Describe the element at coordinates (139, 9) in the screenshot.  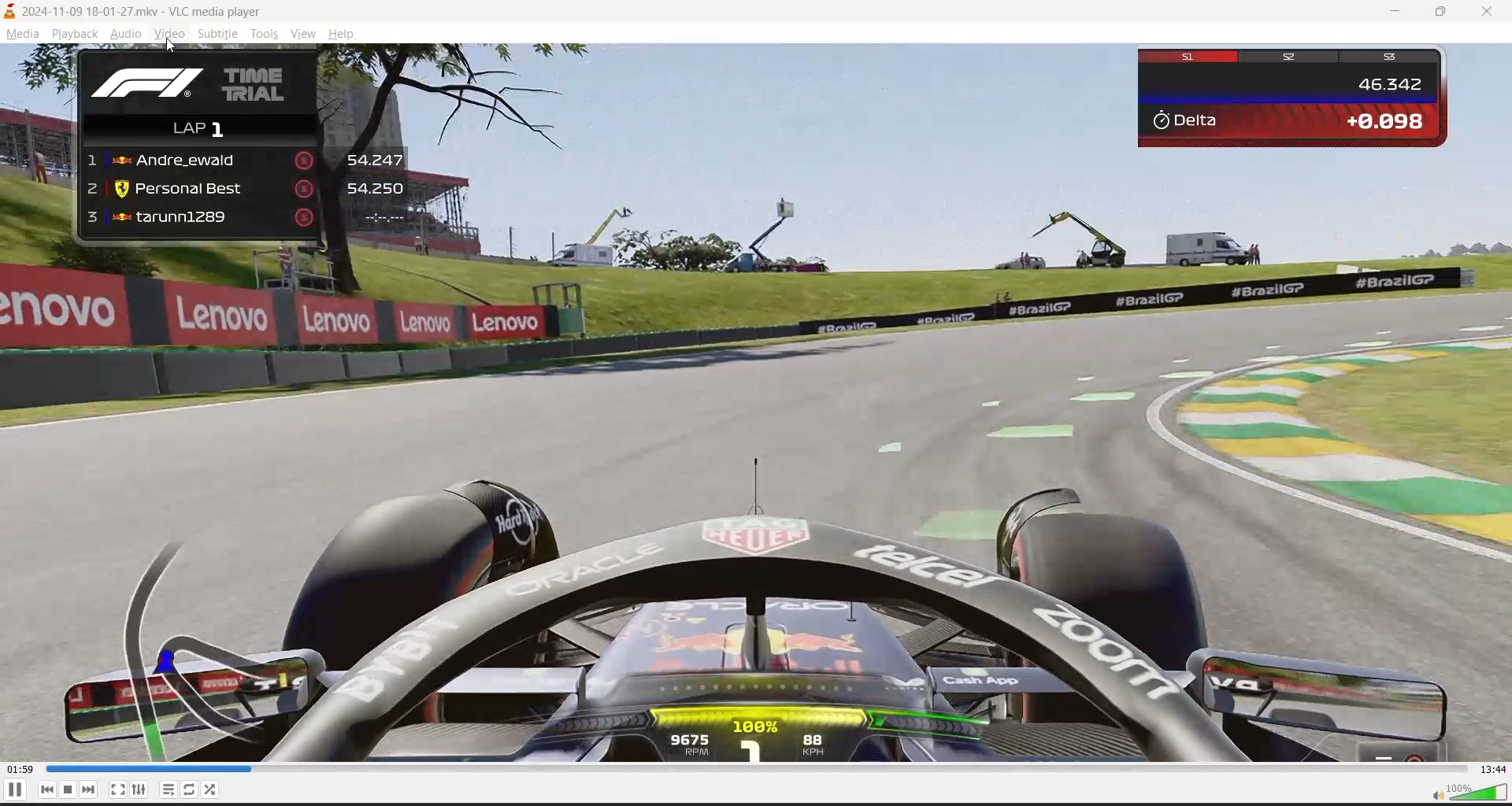
I see `track and app name` at that location.